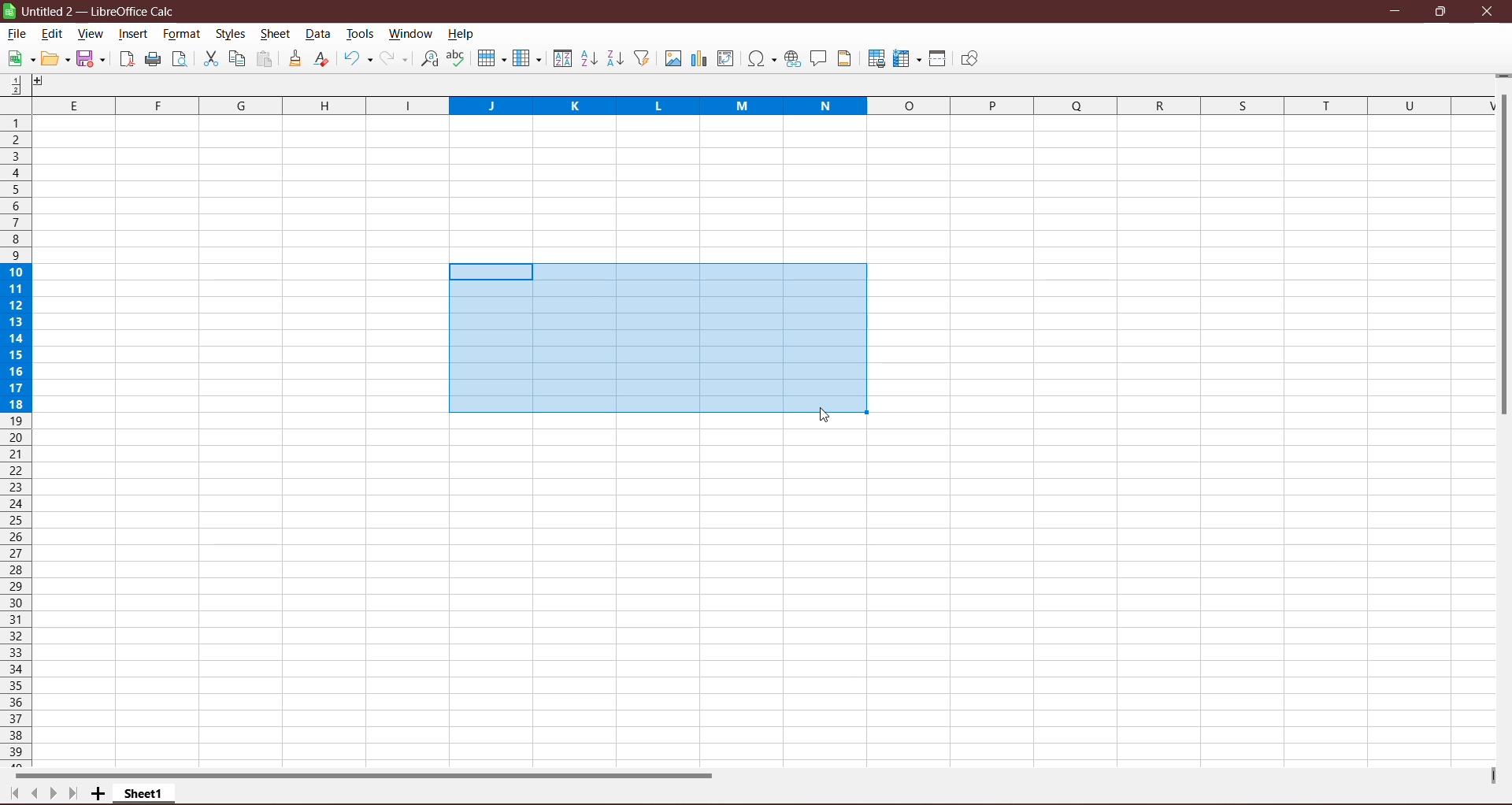  What do you see at coordinates (182, 59) in the screenshot?
I see `Toggle Print Preview` at bounding box center [182, 59].